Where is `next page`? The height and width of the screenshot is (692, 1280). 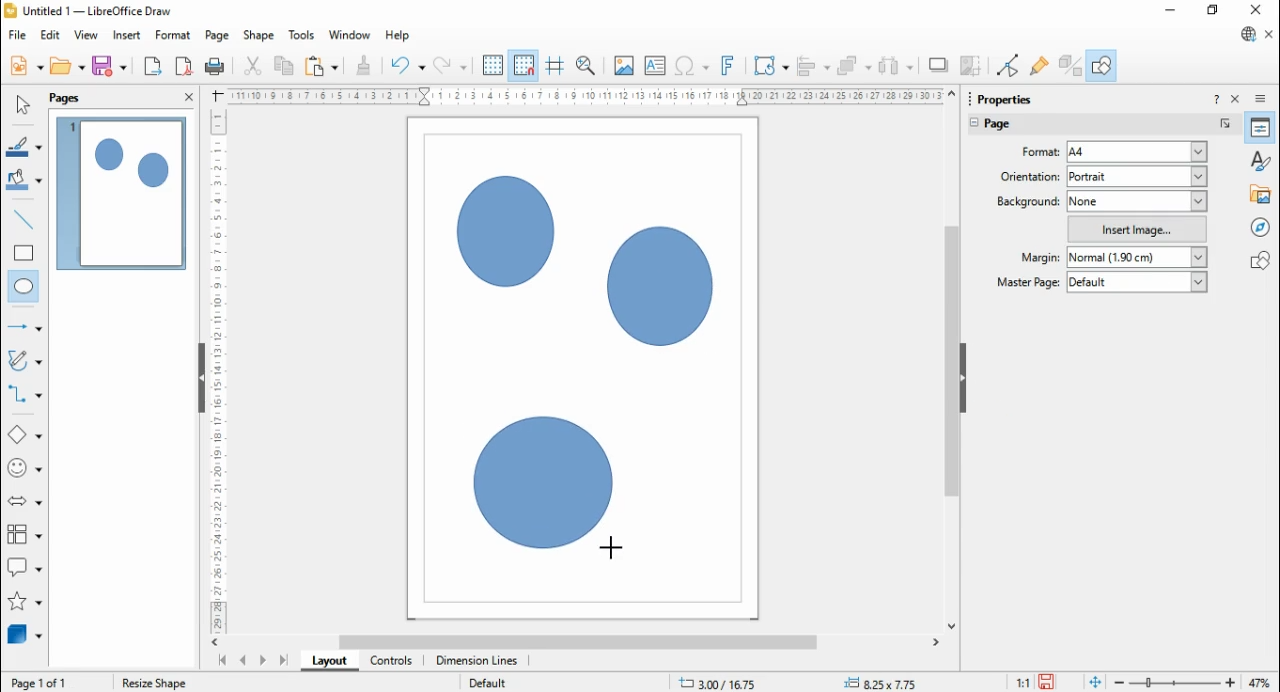
next page is located at coordinates (263, 662).